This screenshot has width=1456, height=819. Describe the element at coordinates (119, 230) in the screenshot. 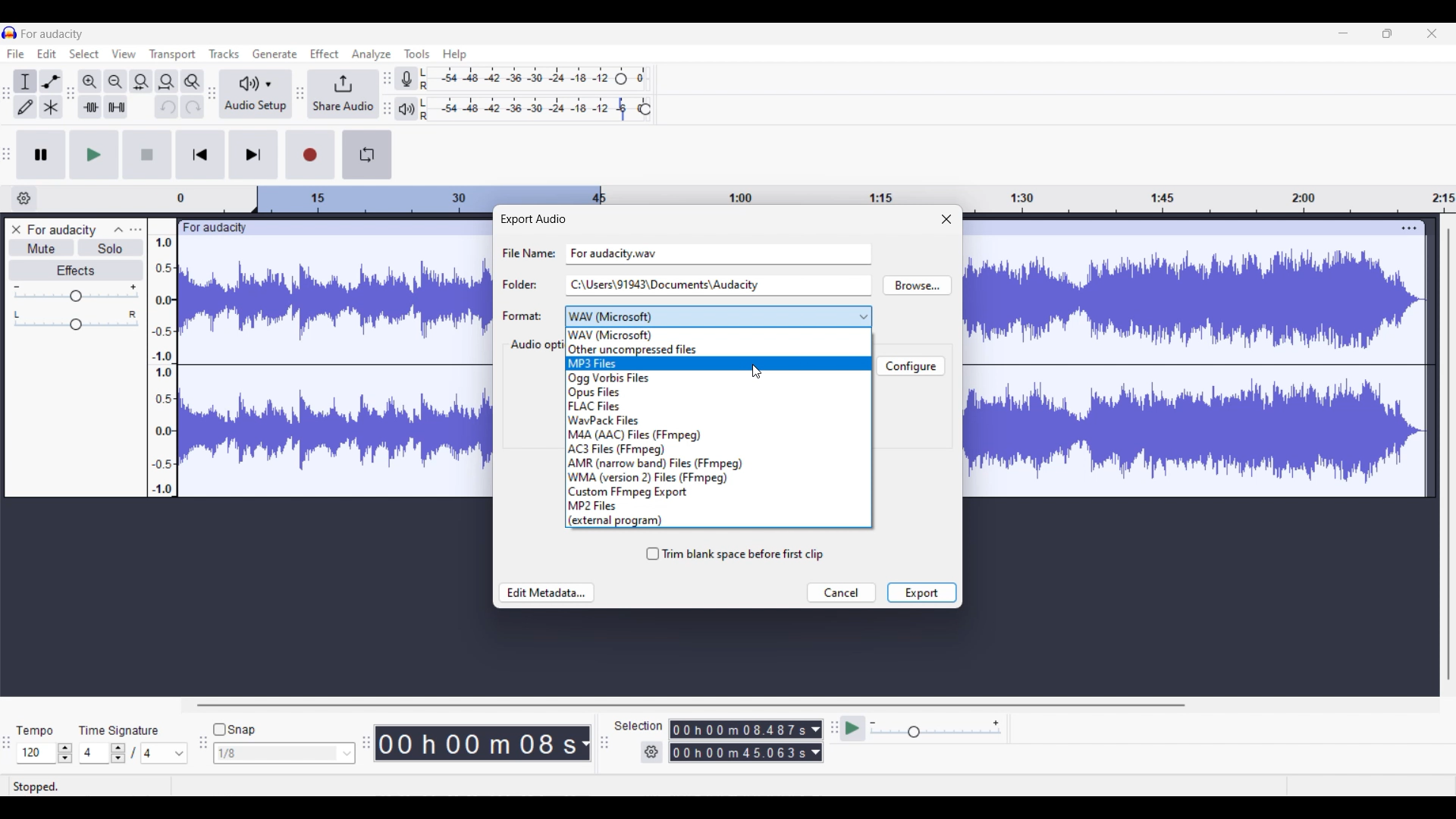

I see `Collapse` at that location.